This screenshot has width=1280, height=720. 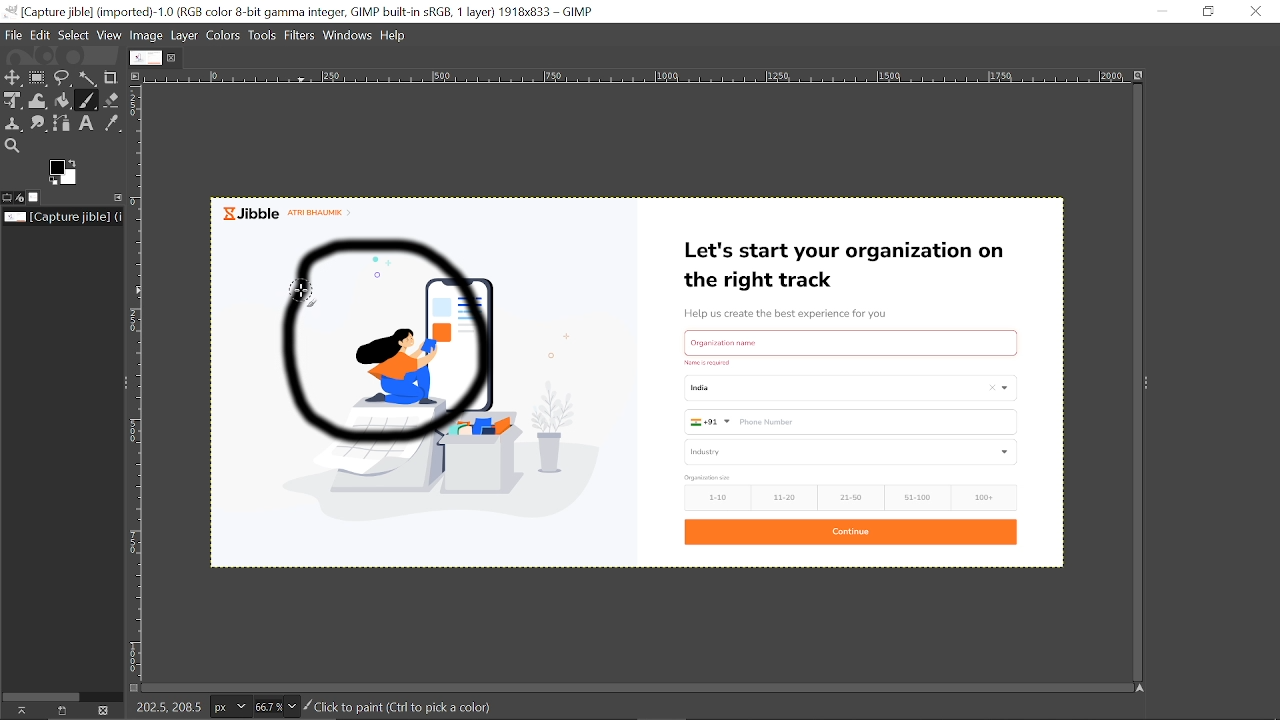 I want to click on Close, so click(x=1254, y=12).